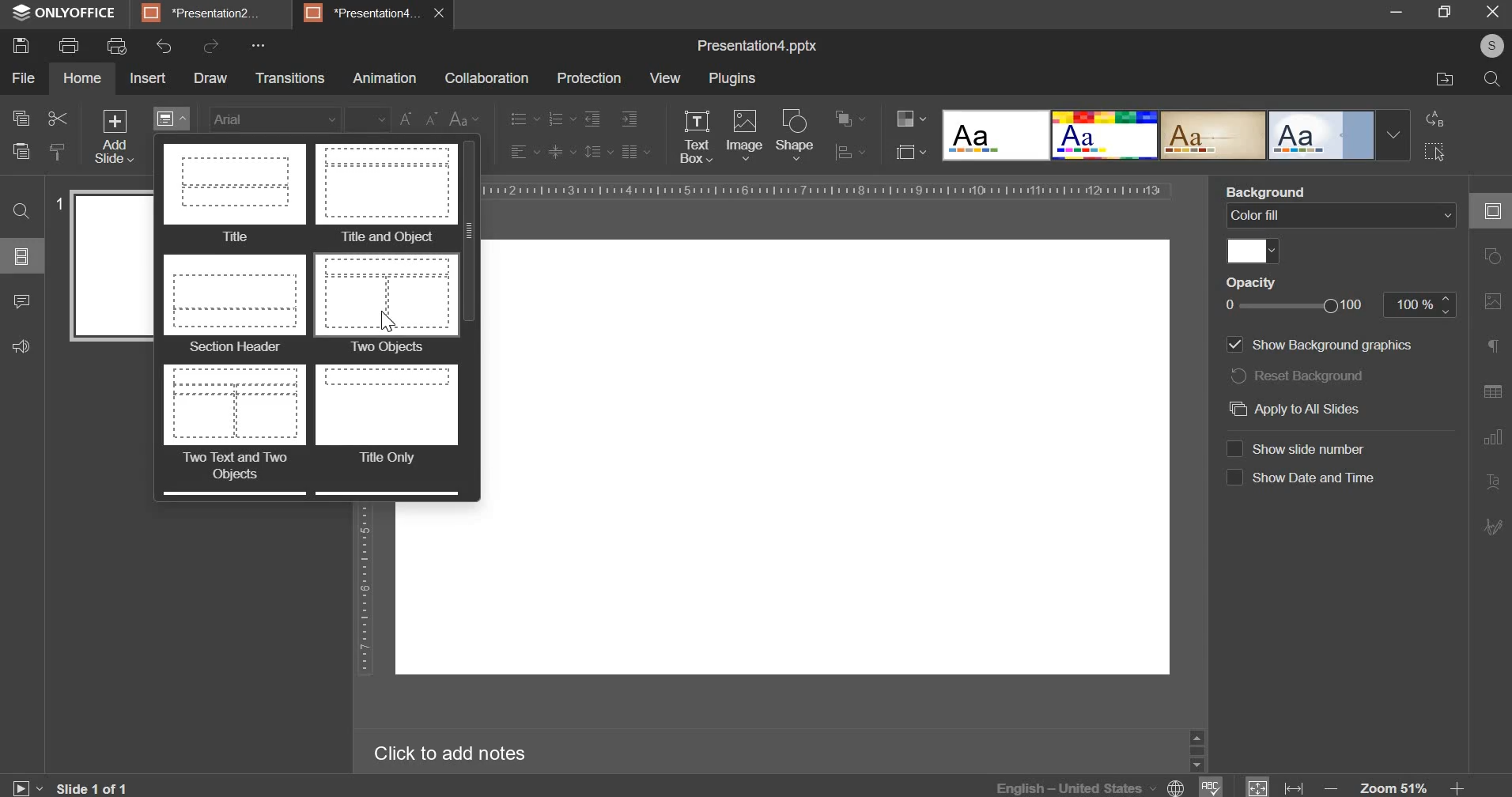 The height and width of the screenshot is (797, 1512). What do you see at coordinates (1093, 786) in the screenshot?
I see `language` at bounding box center [1093, 786].